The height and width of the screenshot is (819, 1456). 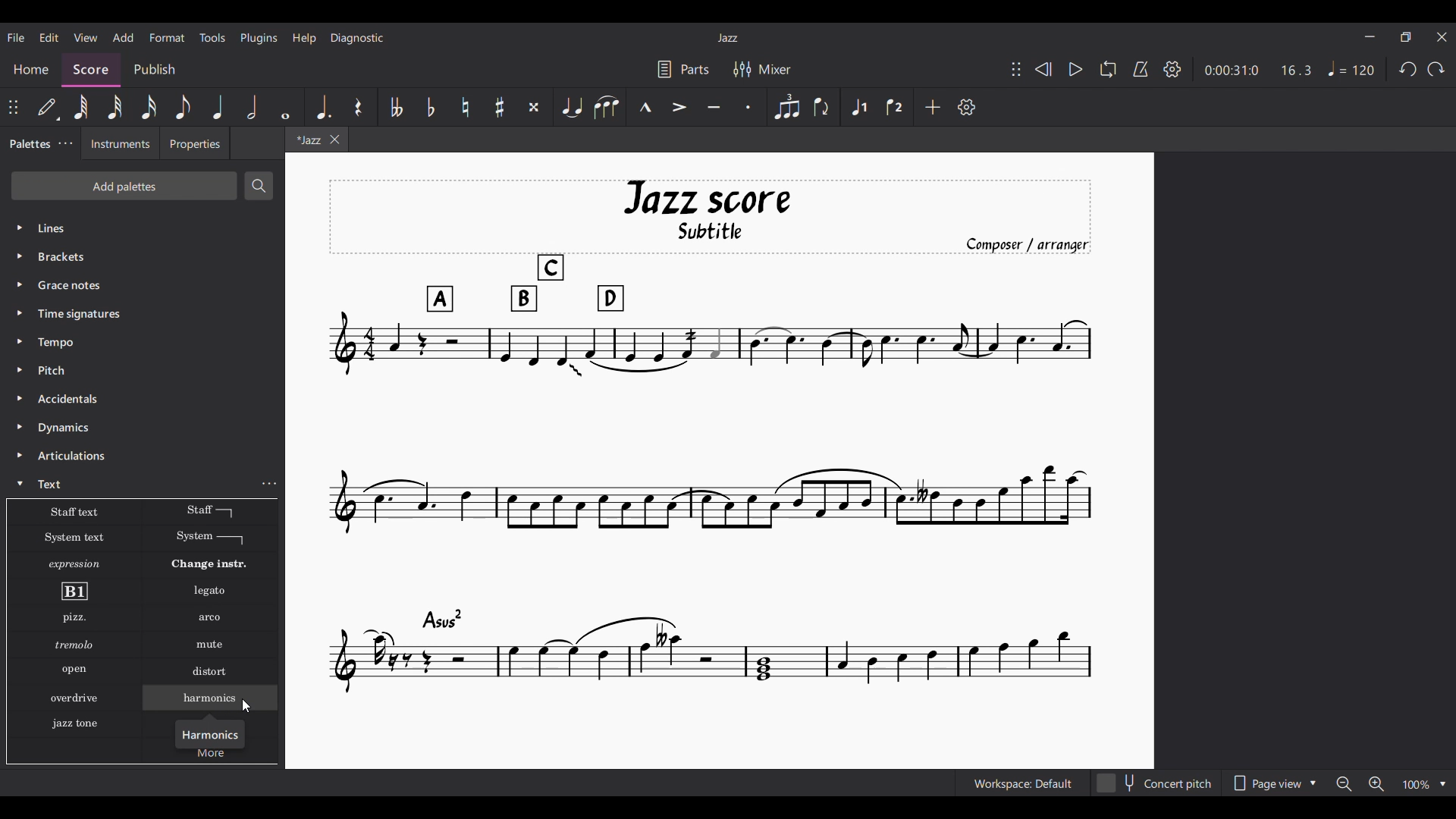 I want to click on Change , so click(x=218, y=564).